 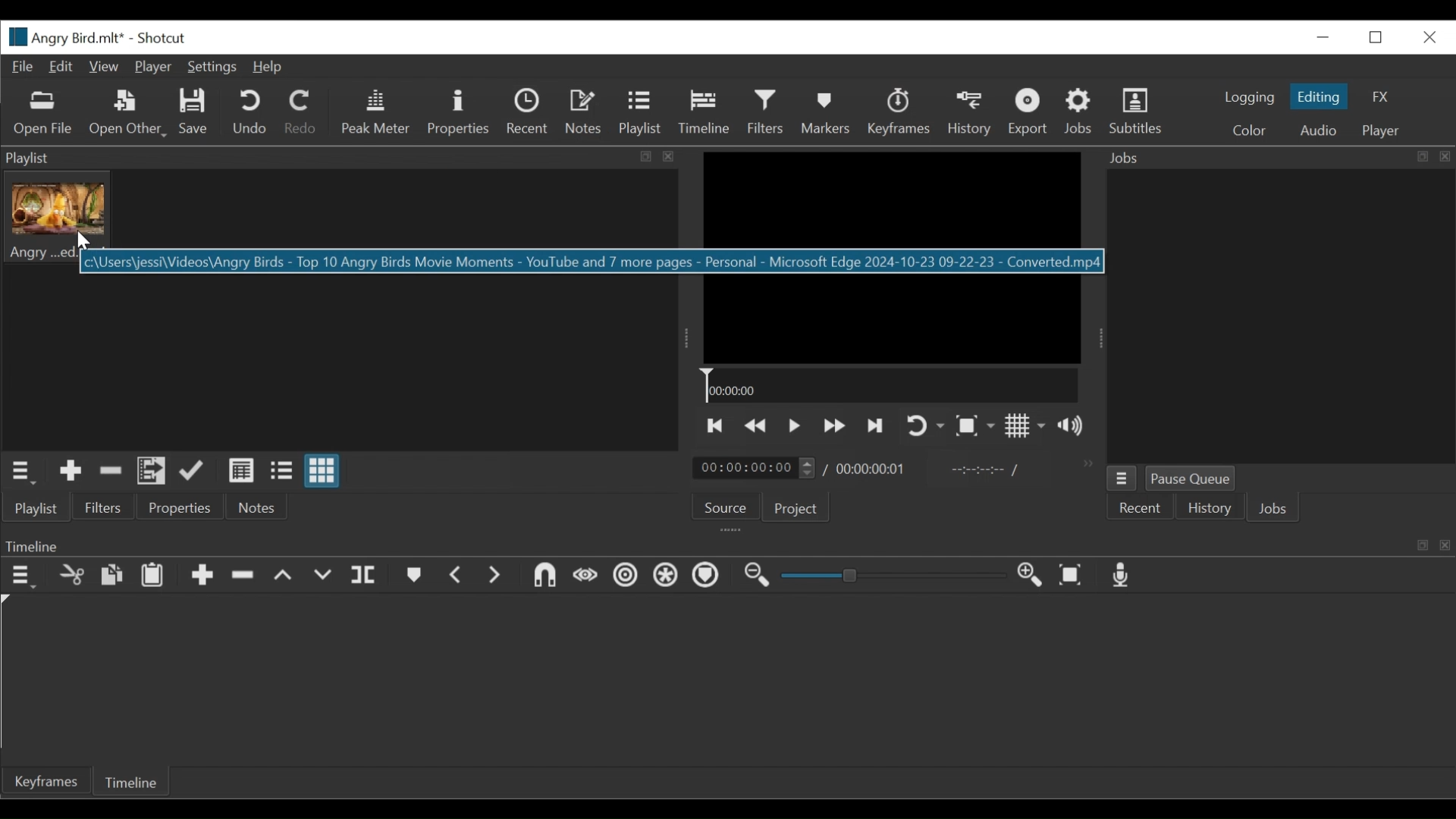 What do you see at coordinates (756, 427) in the screenshot?
I see `Play backward quickly` at bounding box center [756, 427].